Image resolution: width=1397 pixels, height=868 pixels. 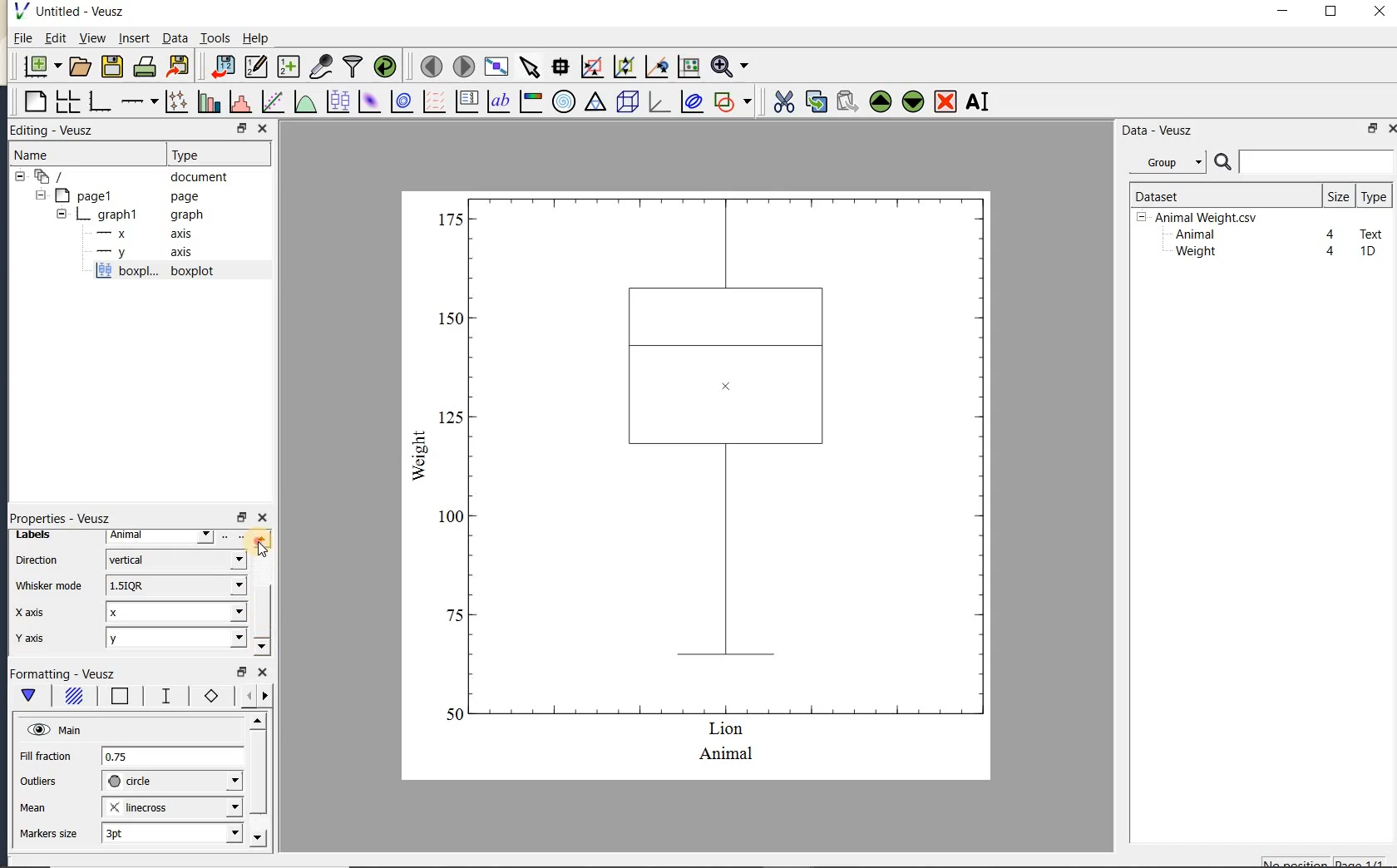 What do you see at coordinates (215, 153) in the screenshot?
I see `Type` at bounding box center [215, 153].